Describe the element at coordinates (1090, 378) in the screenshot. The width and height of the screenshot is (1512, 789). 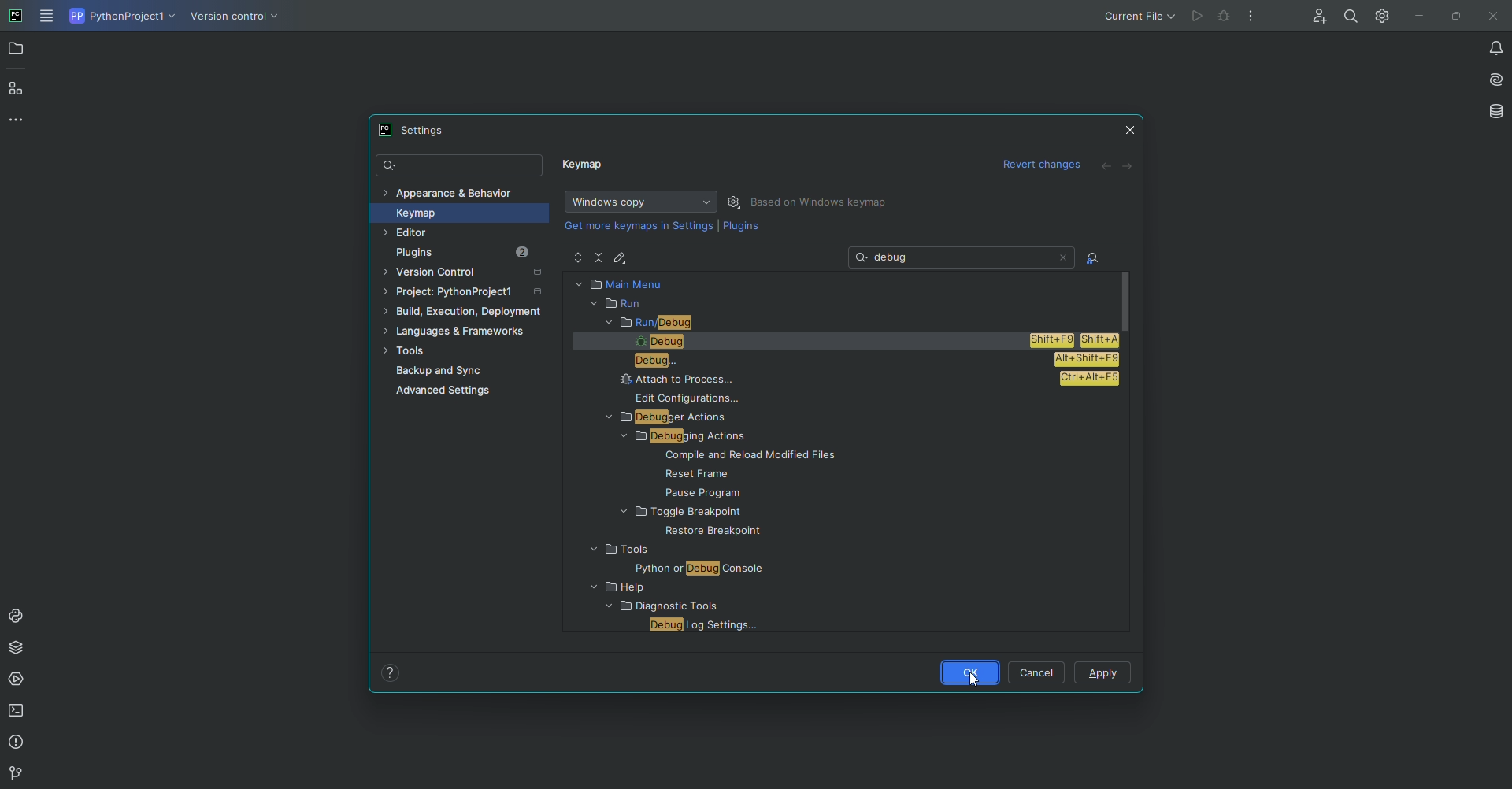
I see `shortcut` at that location.